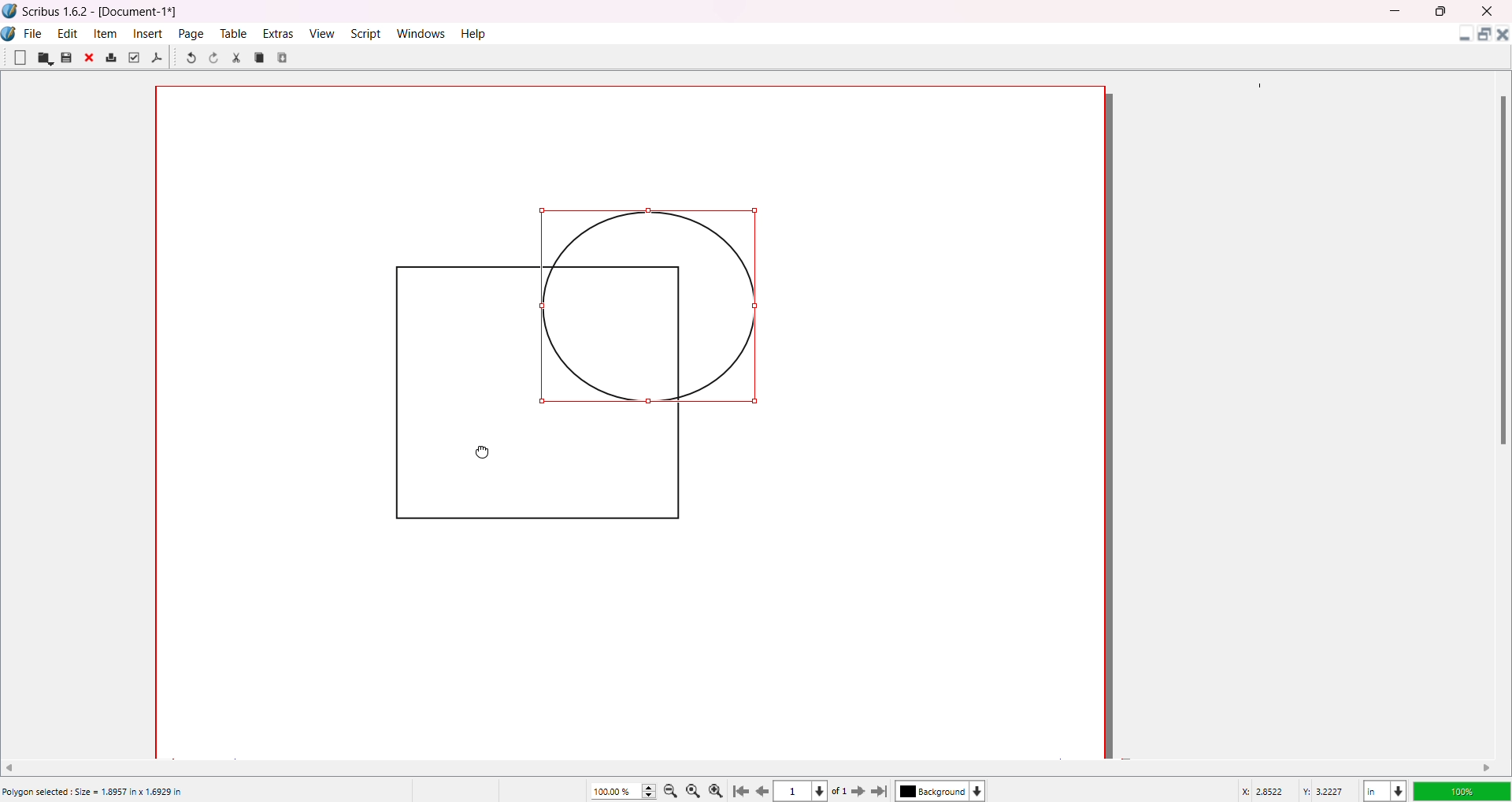 Image resolution: width=1512 pixels, height=802 pixels. What do you see at coordinates (107, 33) in the screenshot?
I see `Item` at bounding box center [107, 33].